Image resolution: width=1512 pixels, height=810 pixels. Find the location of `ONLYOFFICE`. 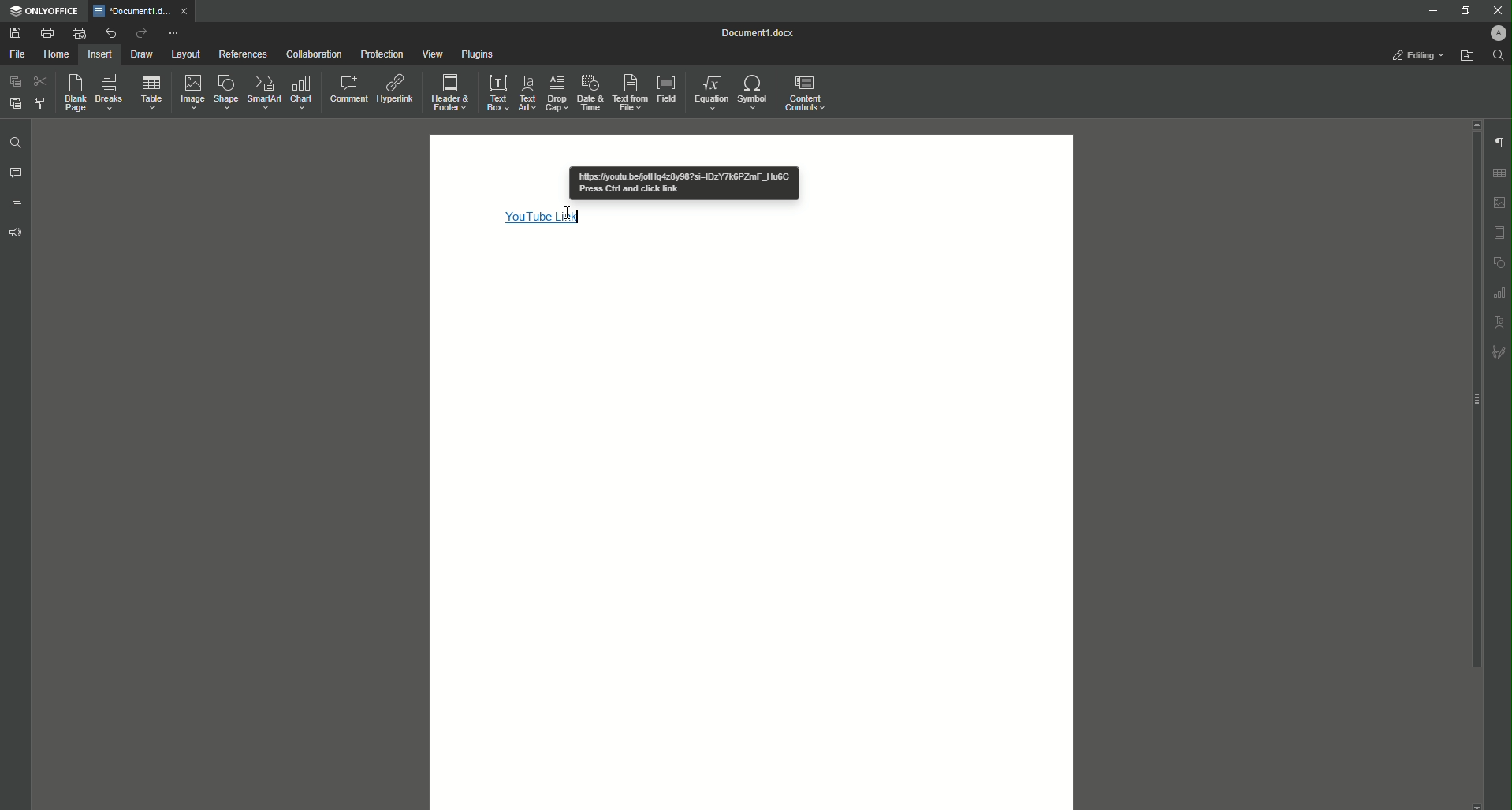

ONLYOFFICE is located at coordinates (44, 12).